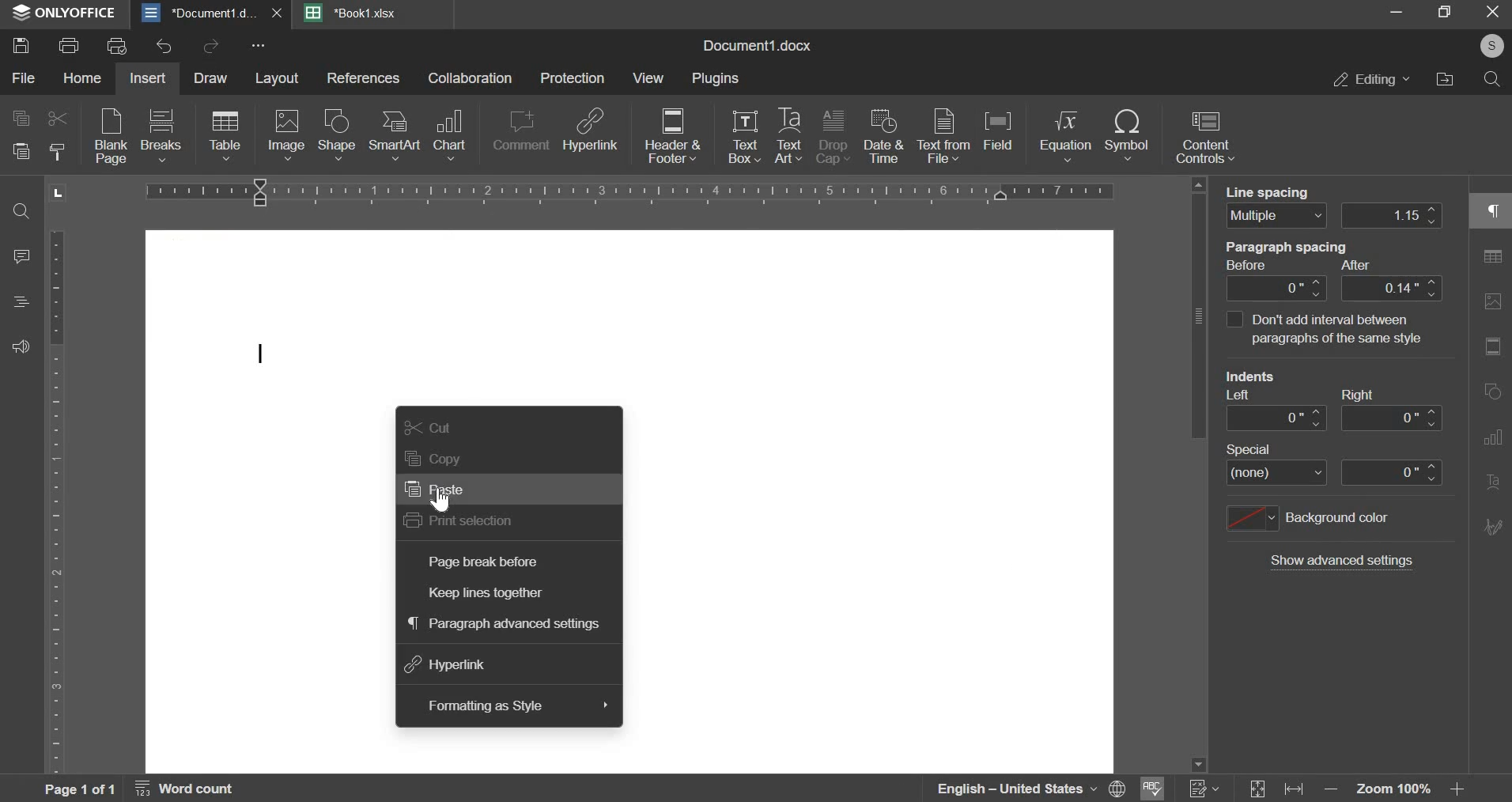 This screenshot has width=1512, height=802. What do you see at coordinates (19, 302) in the screenshot?
I see `headings` at bounding box center [19, 302].